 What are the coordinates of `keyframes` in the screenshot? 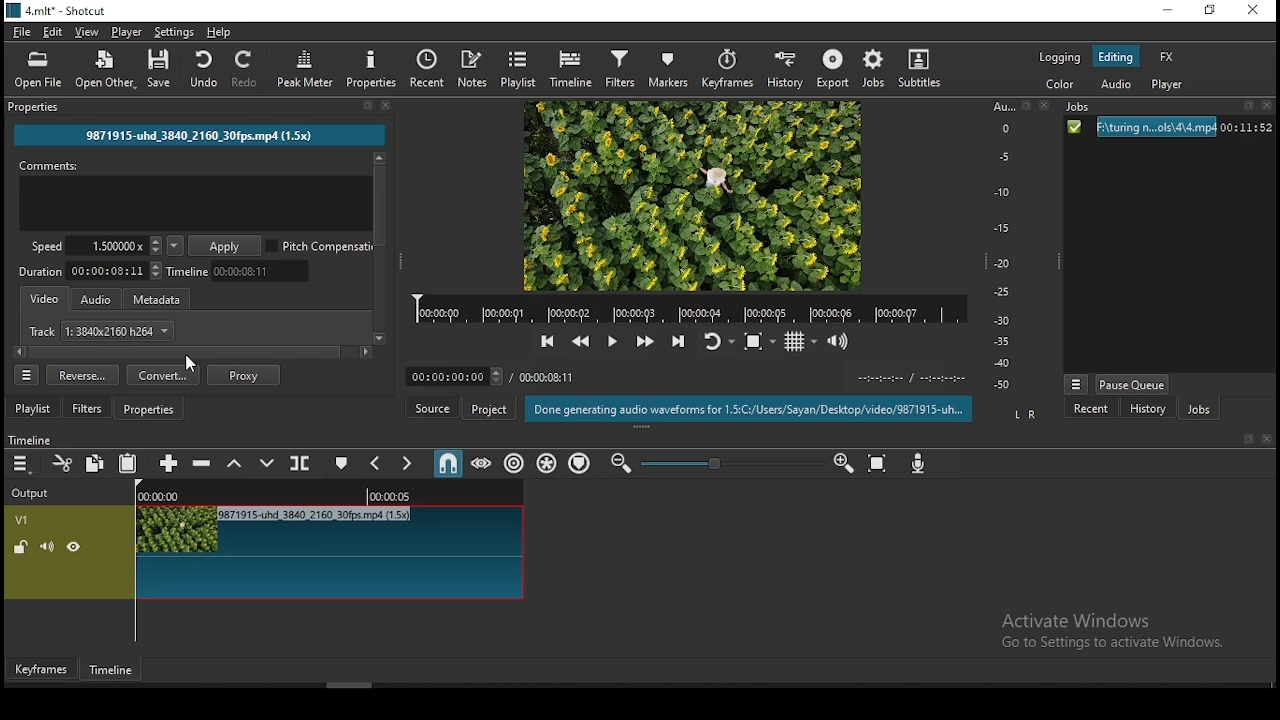 It's located at (731, 69).